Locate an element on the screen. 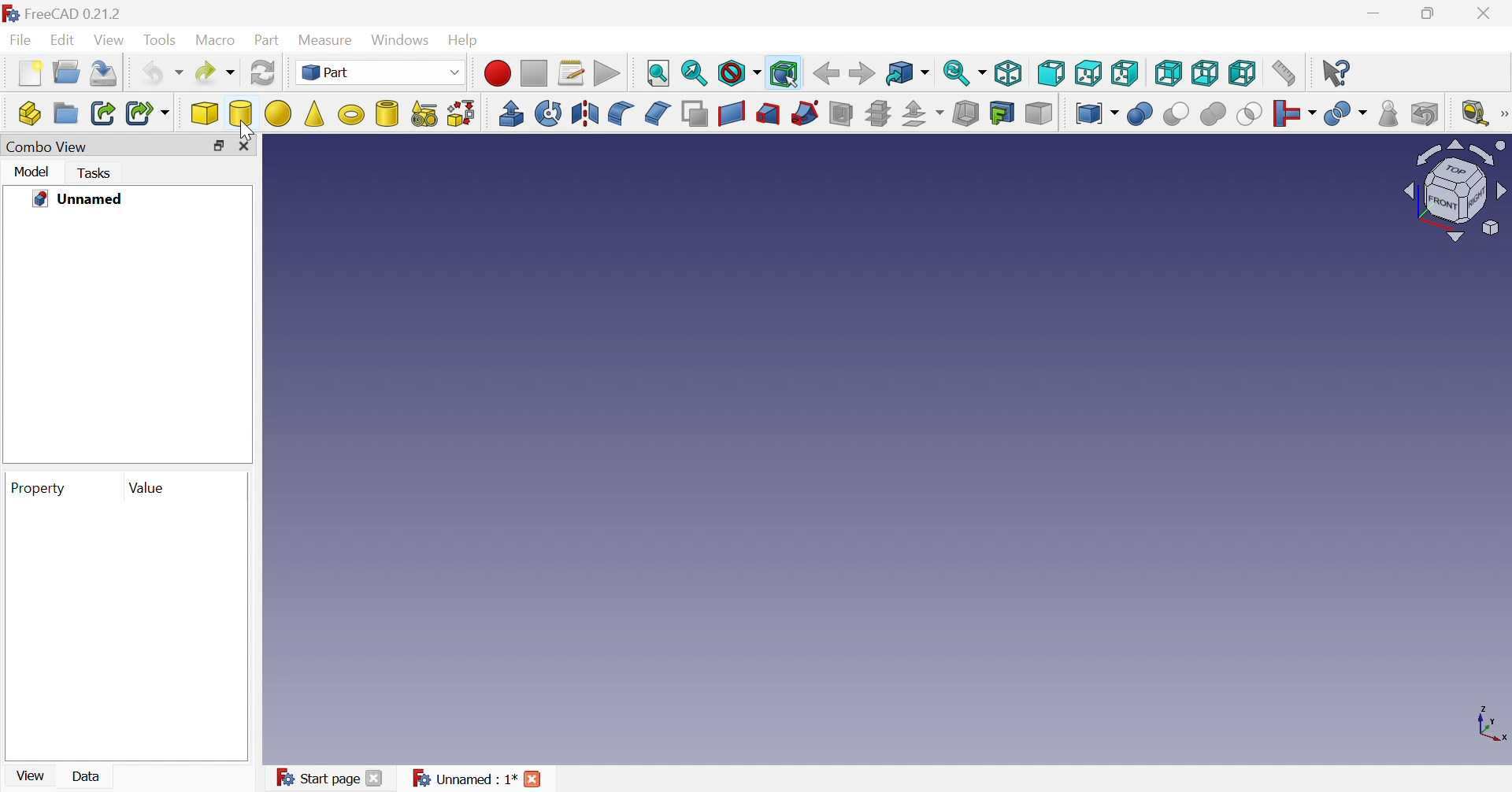 The height and width of the screenshot is (792, 1512). Part is located at coordinates (268, 42).